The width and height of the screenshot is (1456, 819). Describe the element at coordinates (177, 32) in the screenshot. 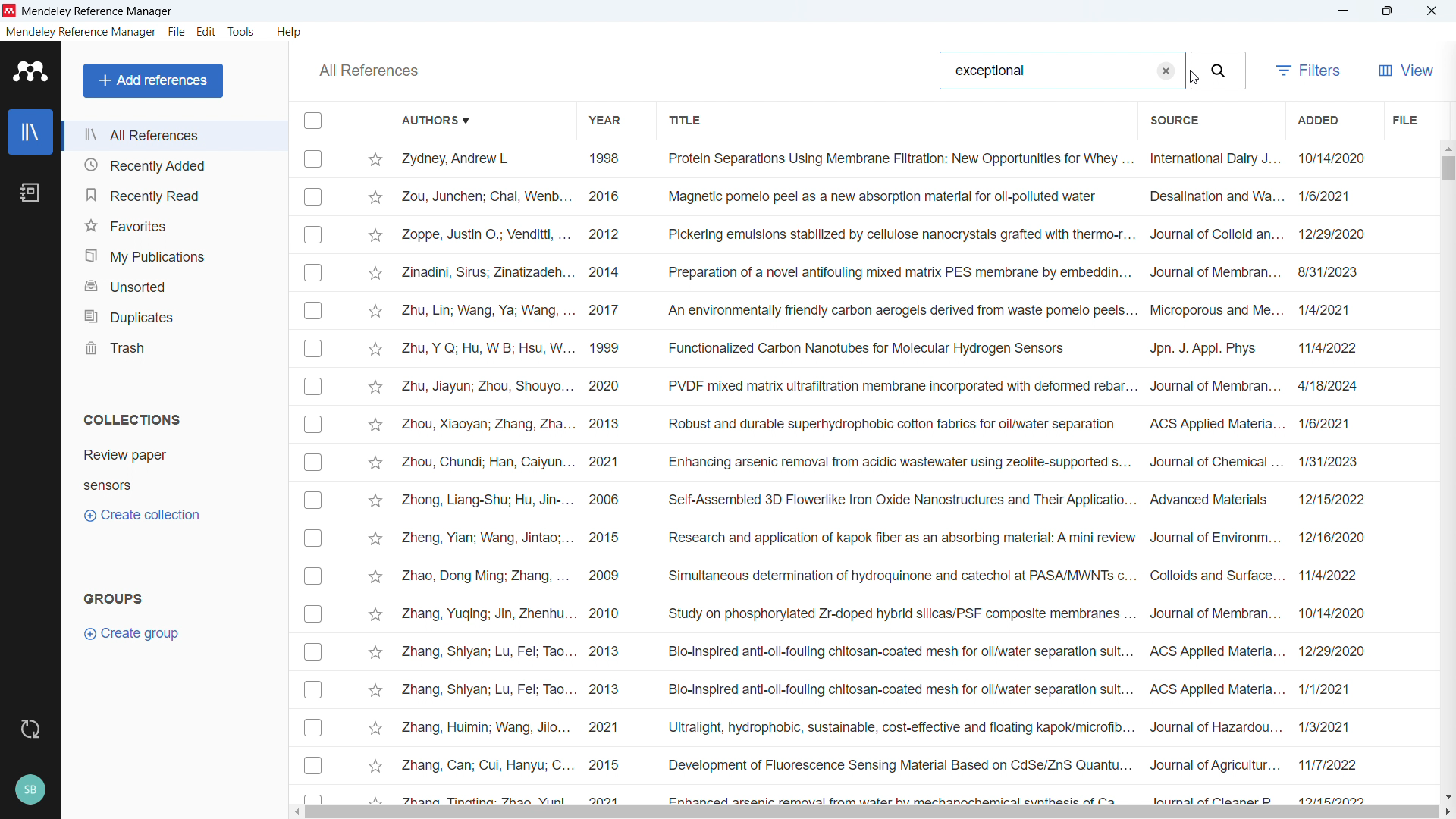

I see `file` at that location.